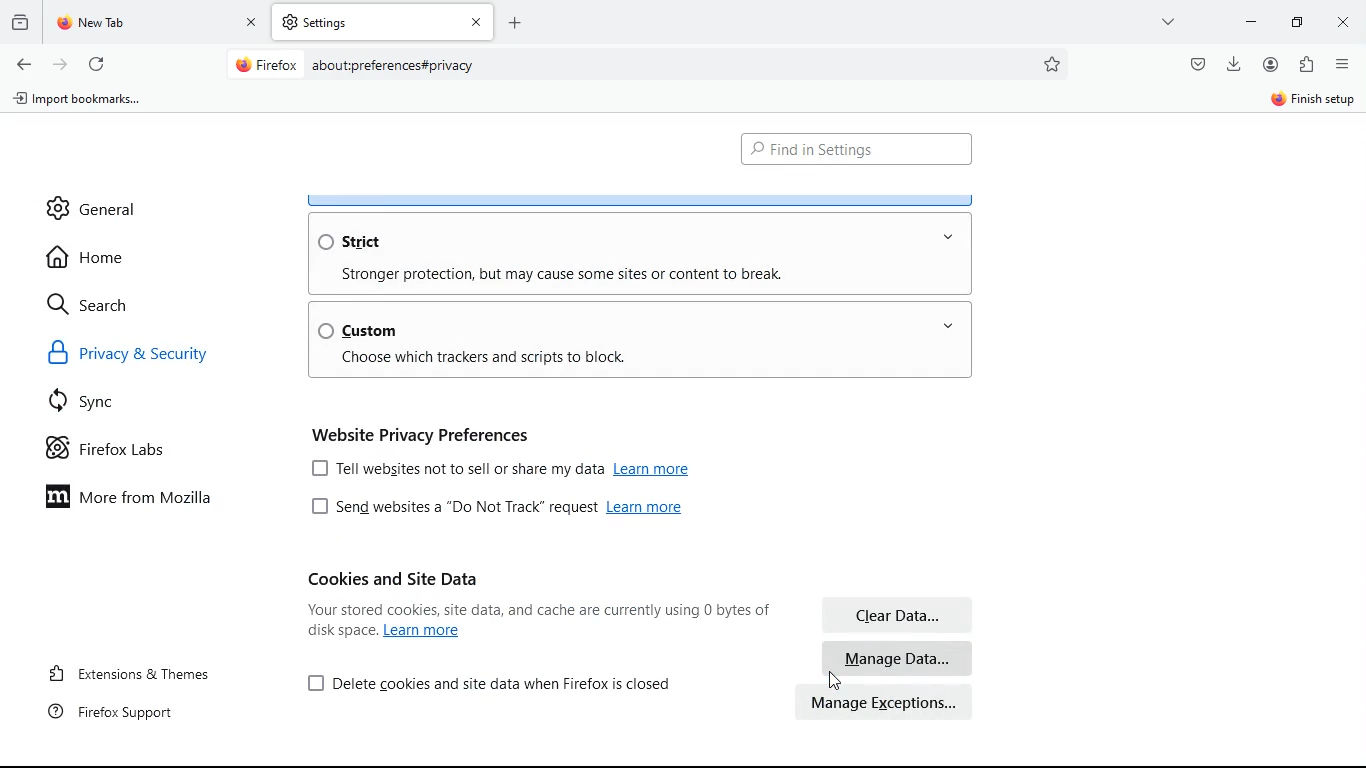 Image resolution: width=1366 pixels, height=768 pixels. What do you see at coordinates (354, 242) in the screenshot?
I see `strict` at bounding box center [354, 242].